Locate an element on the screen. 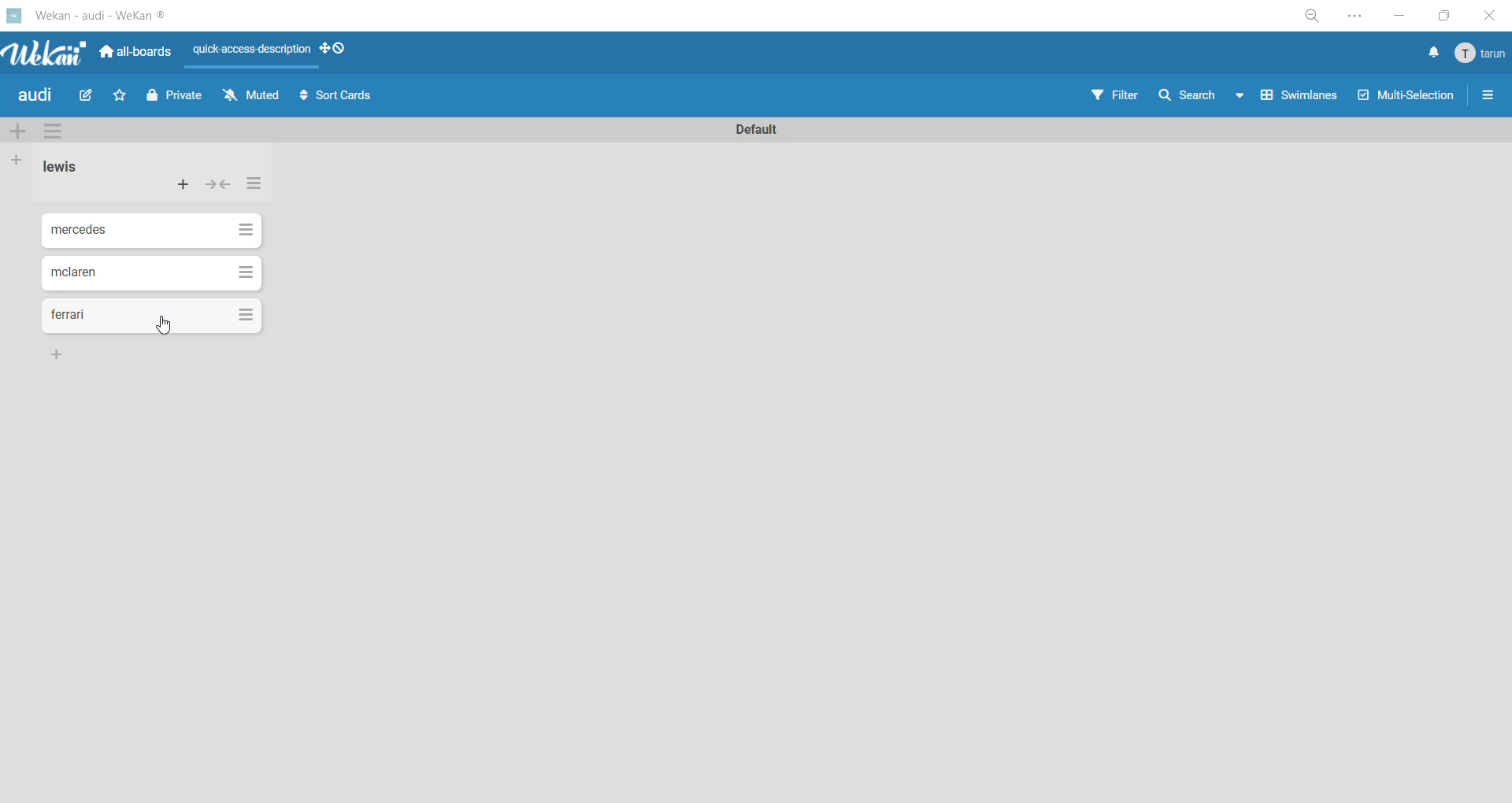 The width and height of the screenshot is (1512, 803). all boards is located at coordinates (135, 53).